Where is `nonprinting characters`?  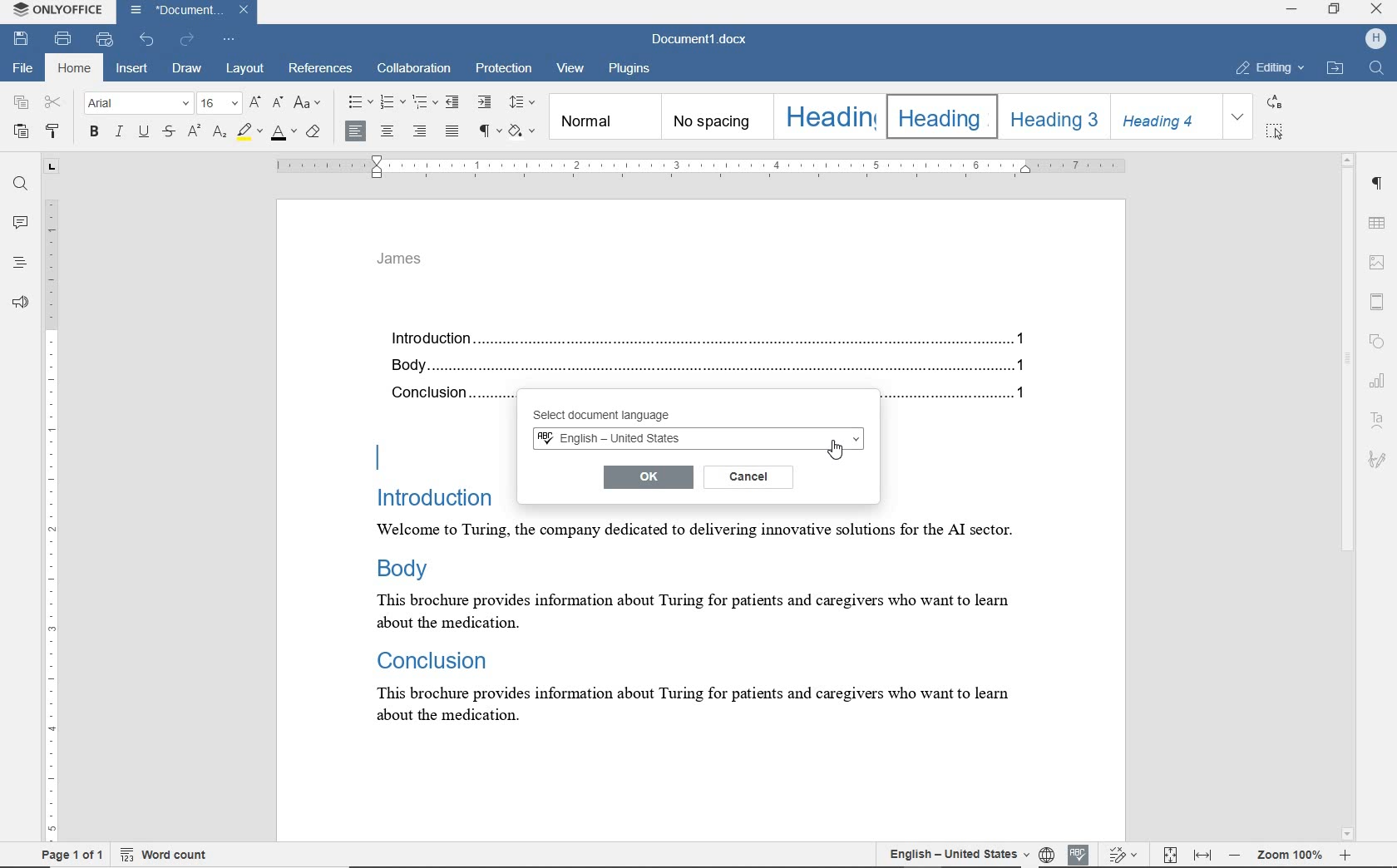 nonprinting characters is located at coordinates (488, 130).